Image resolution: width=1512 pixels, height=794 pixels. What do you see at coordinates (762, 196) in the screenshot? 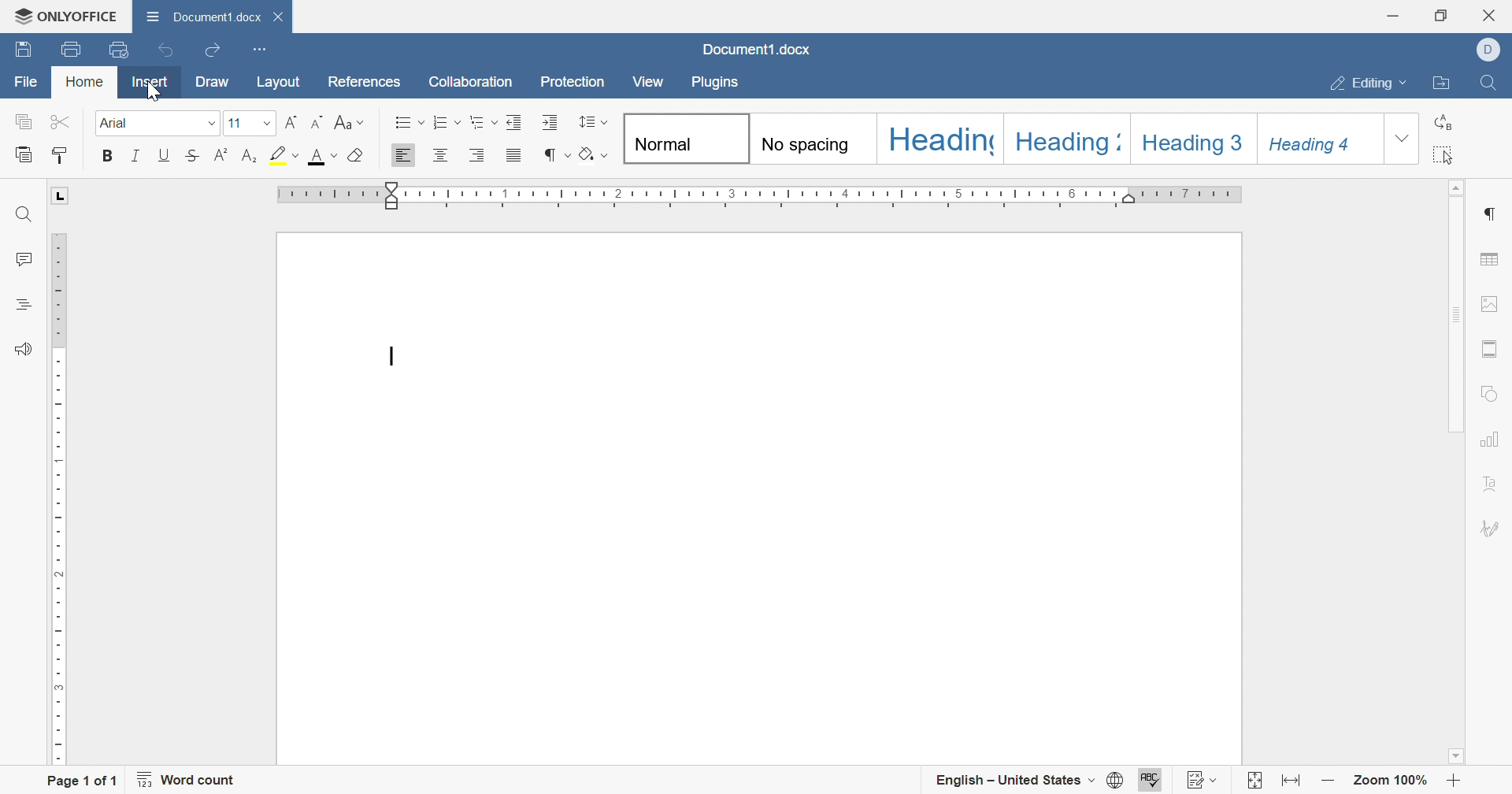
I see `Ruler` at bounding box center [762, 196].